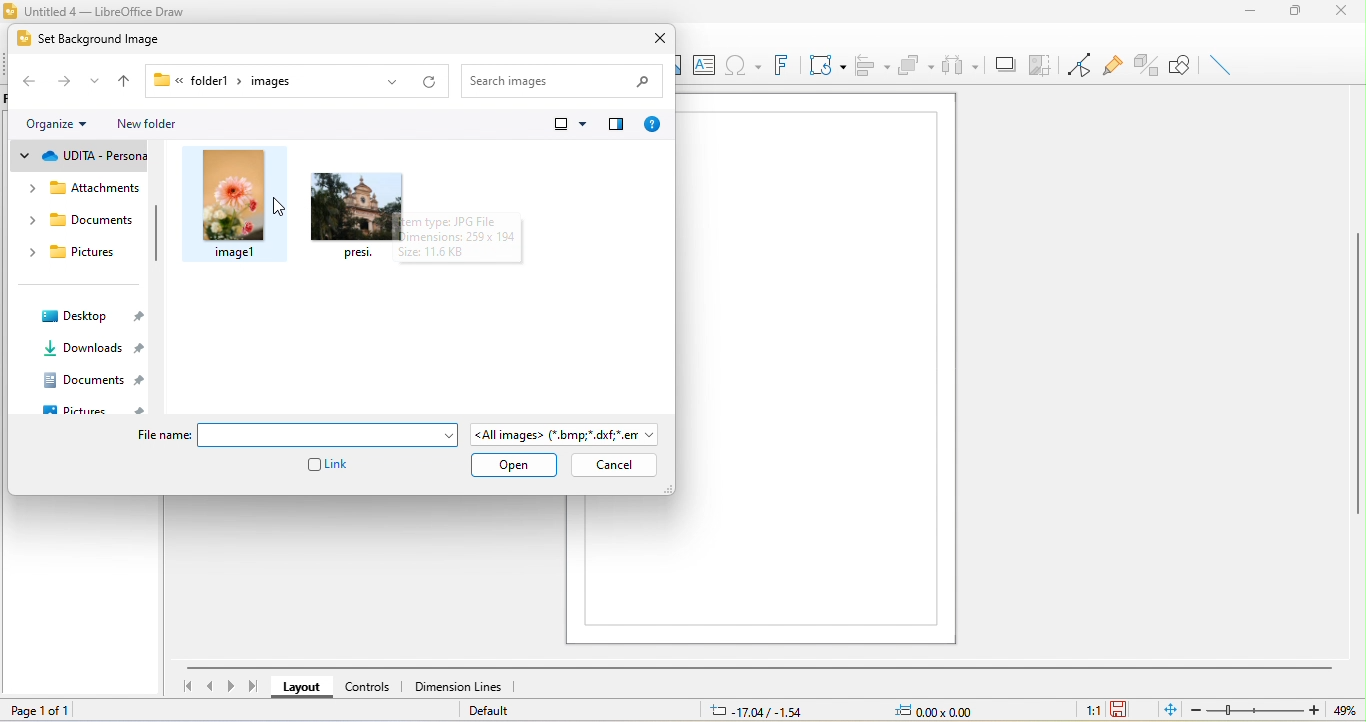 This screenshot has height=722, width=1366. I want to click on  image1 , so click(232, 204).